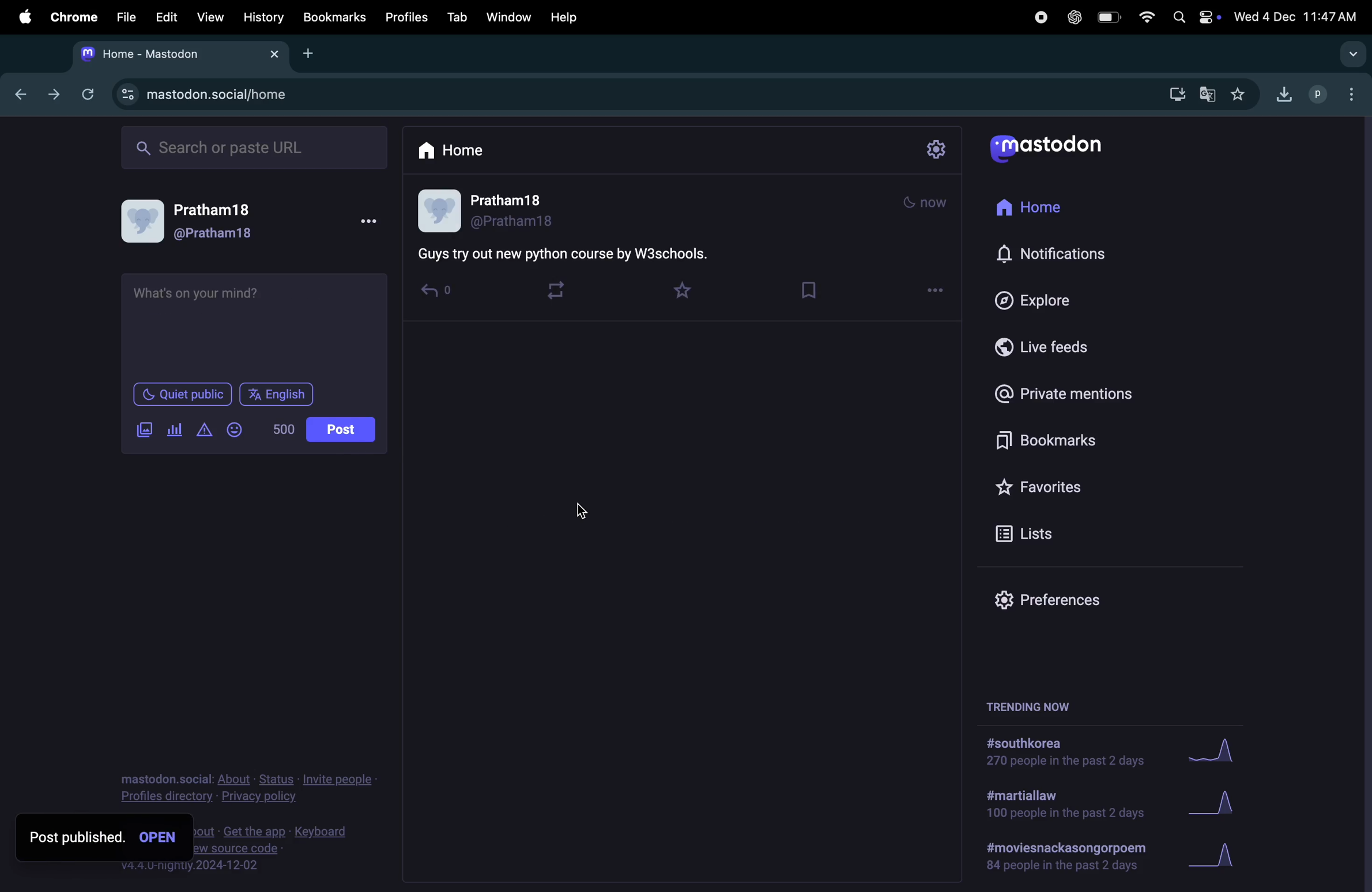 Image resolution: width=1372 pixels, height=892 pixels. I want to click on Tab, so click(454, 18).